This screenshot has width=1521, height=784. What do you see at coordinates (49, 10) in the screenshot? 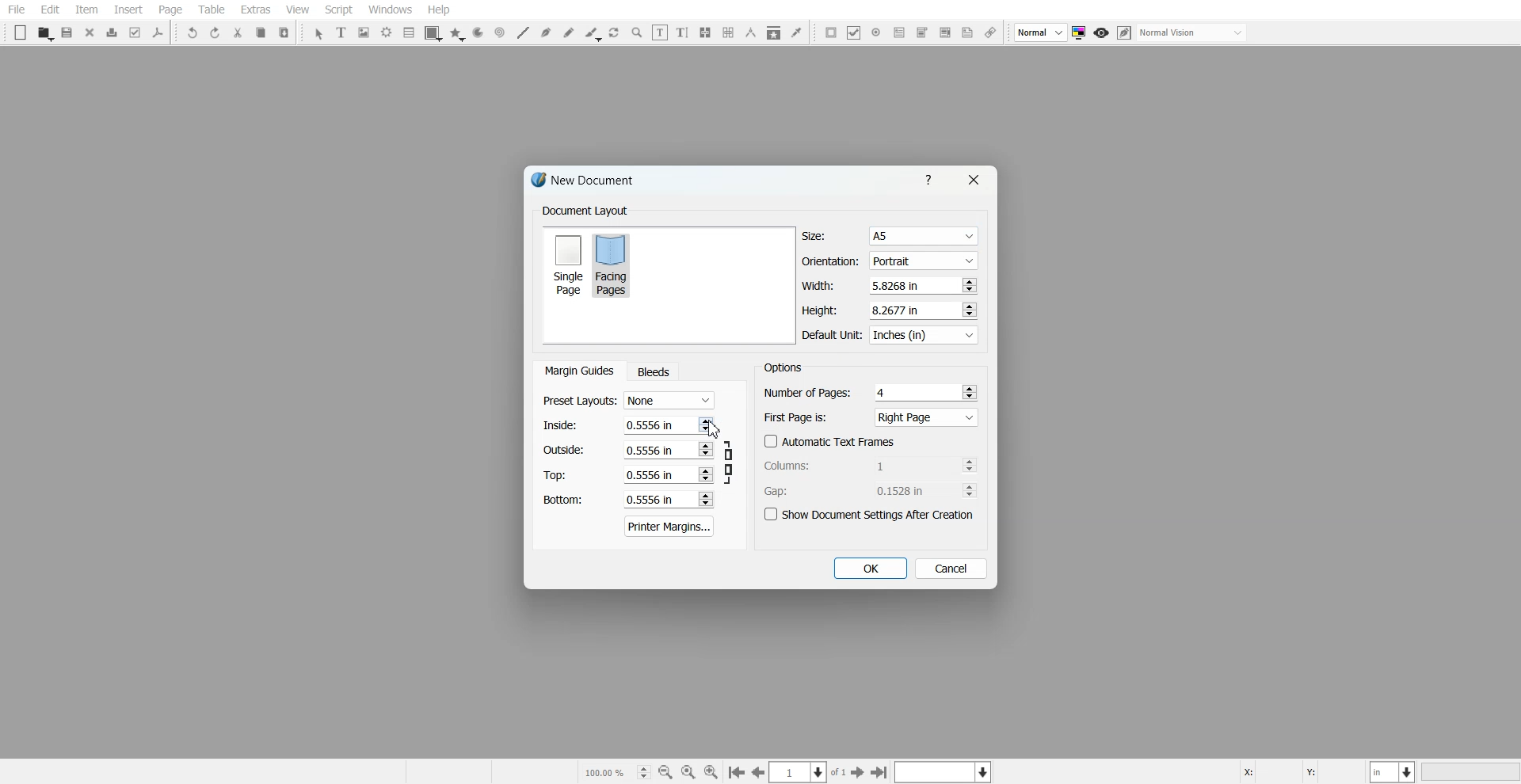
I see `Edit` at bounding box center [49, 10].